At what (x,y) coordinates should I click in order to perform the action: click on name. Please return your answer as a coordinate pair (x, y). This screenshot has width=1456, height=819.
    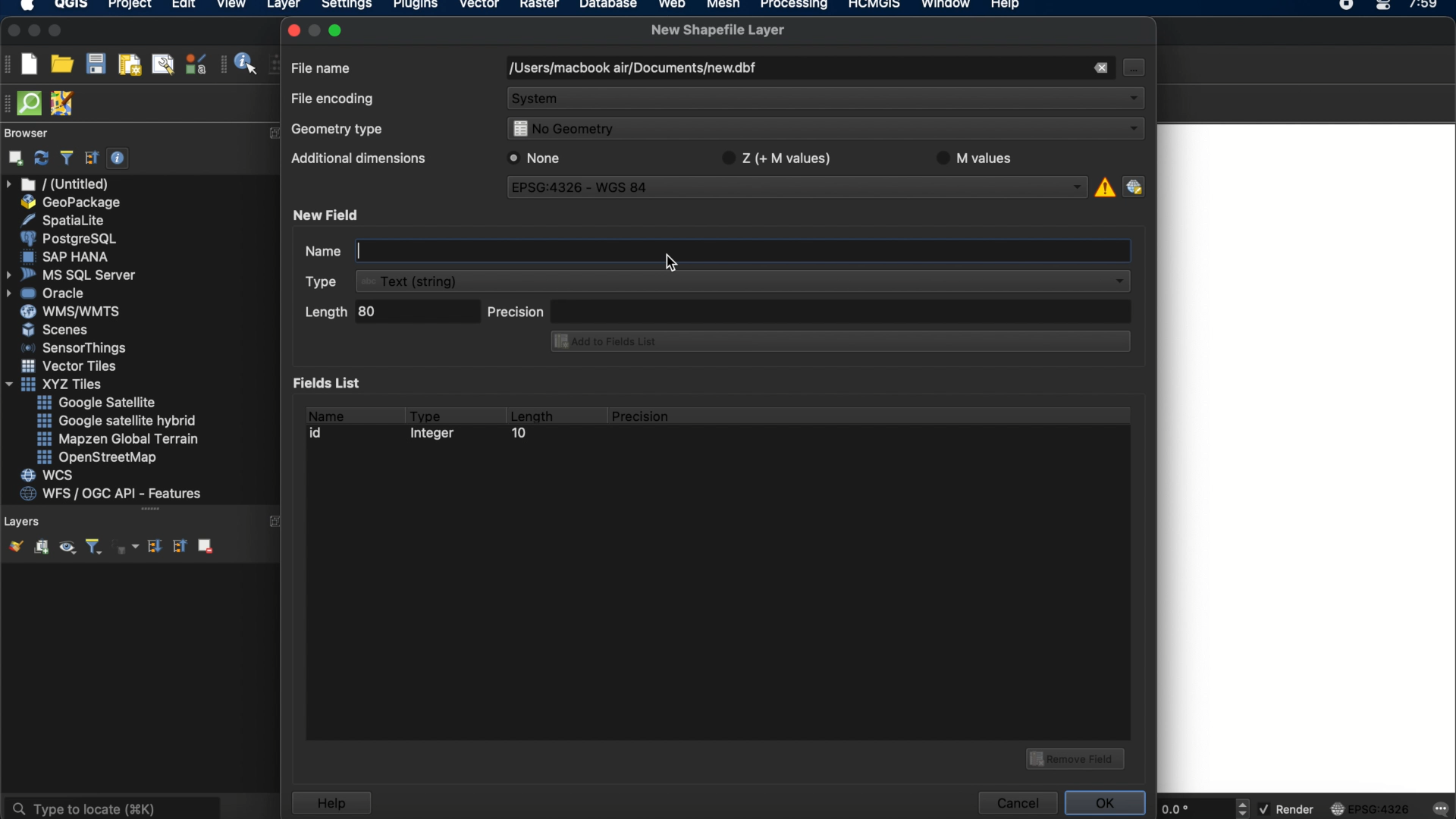
    Looking at the image, I should click on (325, 413).